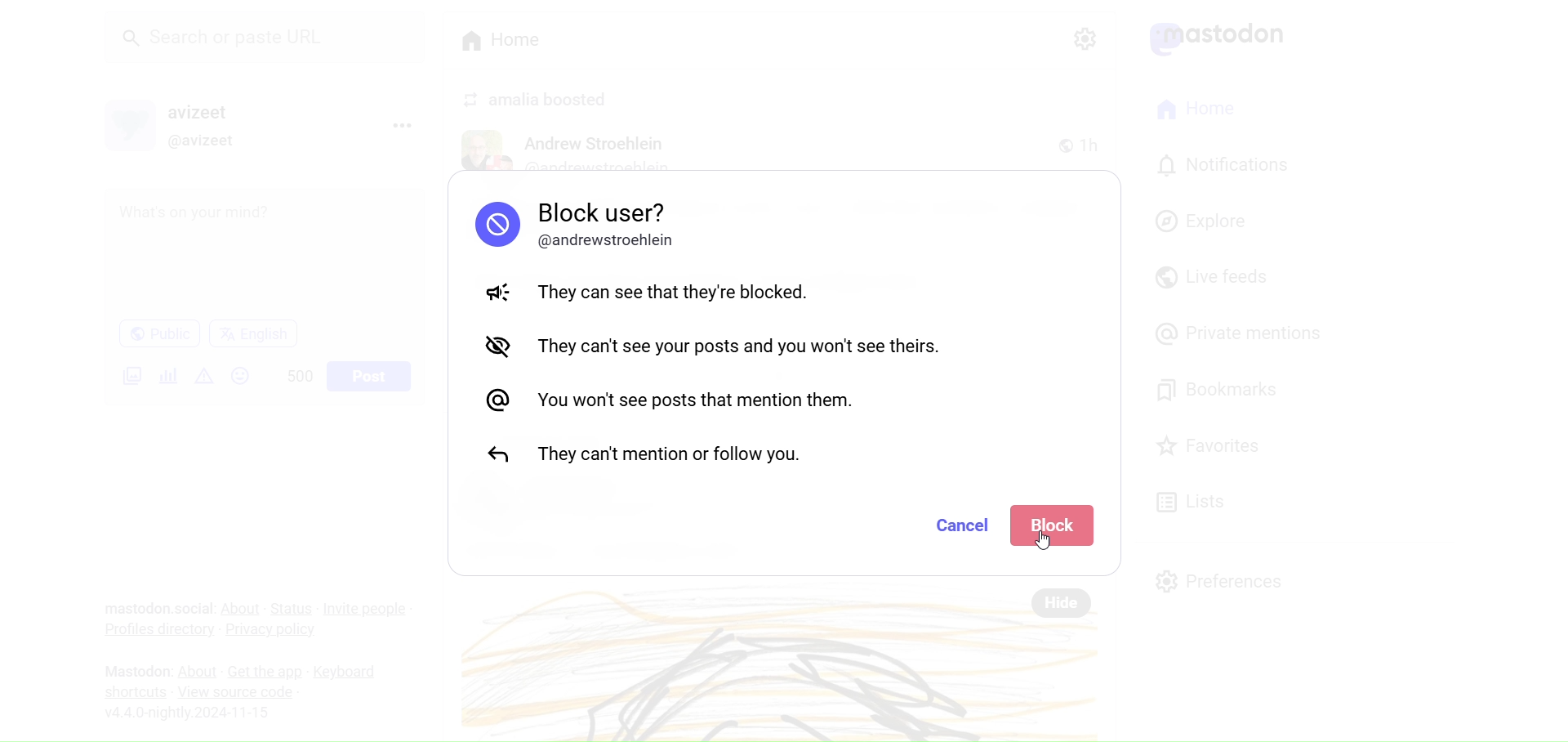 The width and height of the screenshot is (1568, 742). What do you see at coordinates (782, 458) in the screenshot?
I see `They can't mention or follow you` at bounding box center [782, 458].